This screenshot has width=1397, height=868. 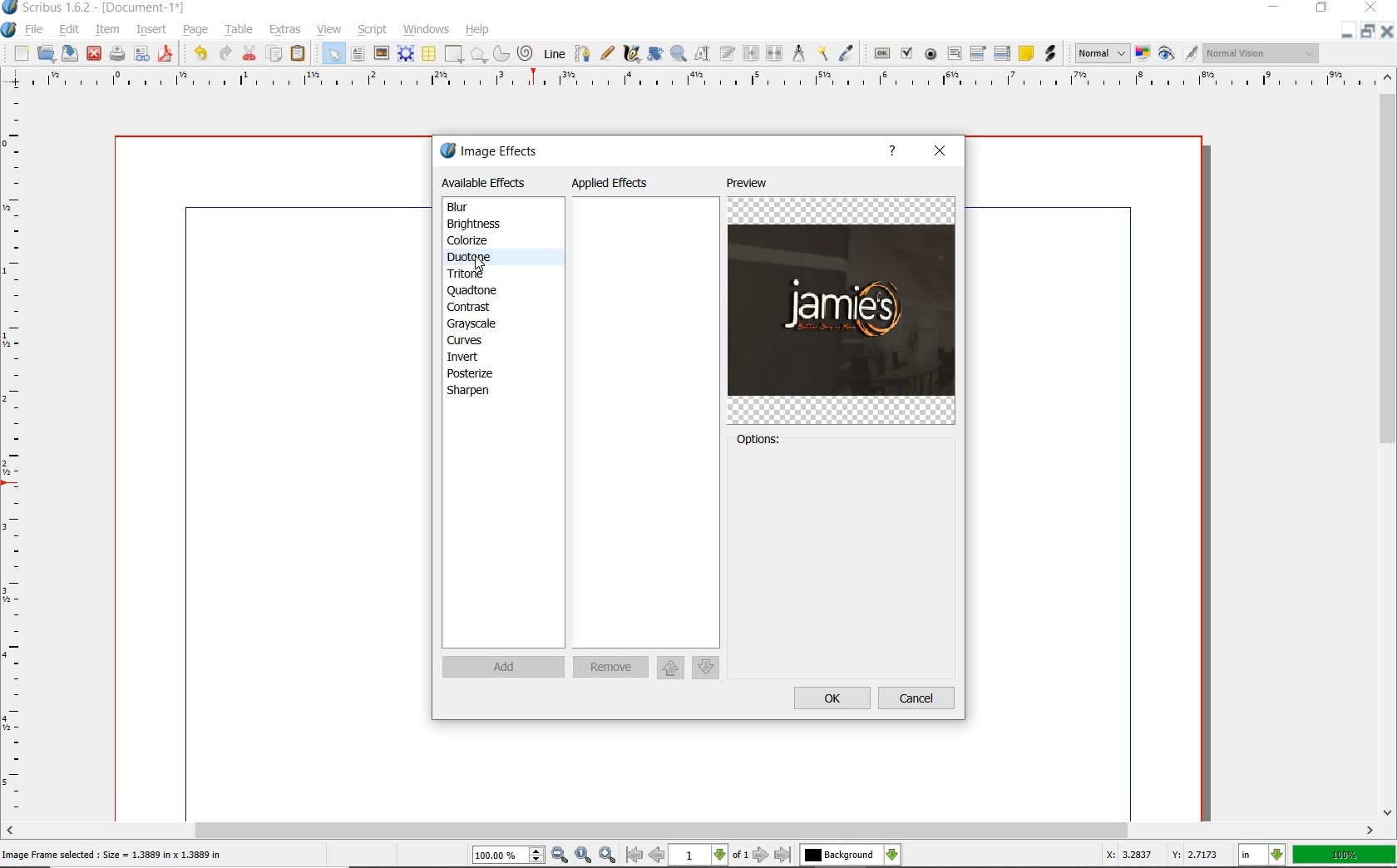 I want to click on image, so click(x=842, y=311).